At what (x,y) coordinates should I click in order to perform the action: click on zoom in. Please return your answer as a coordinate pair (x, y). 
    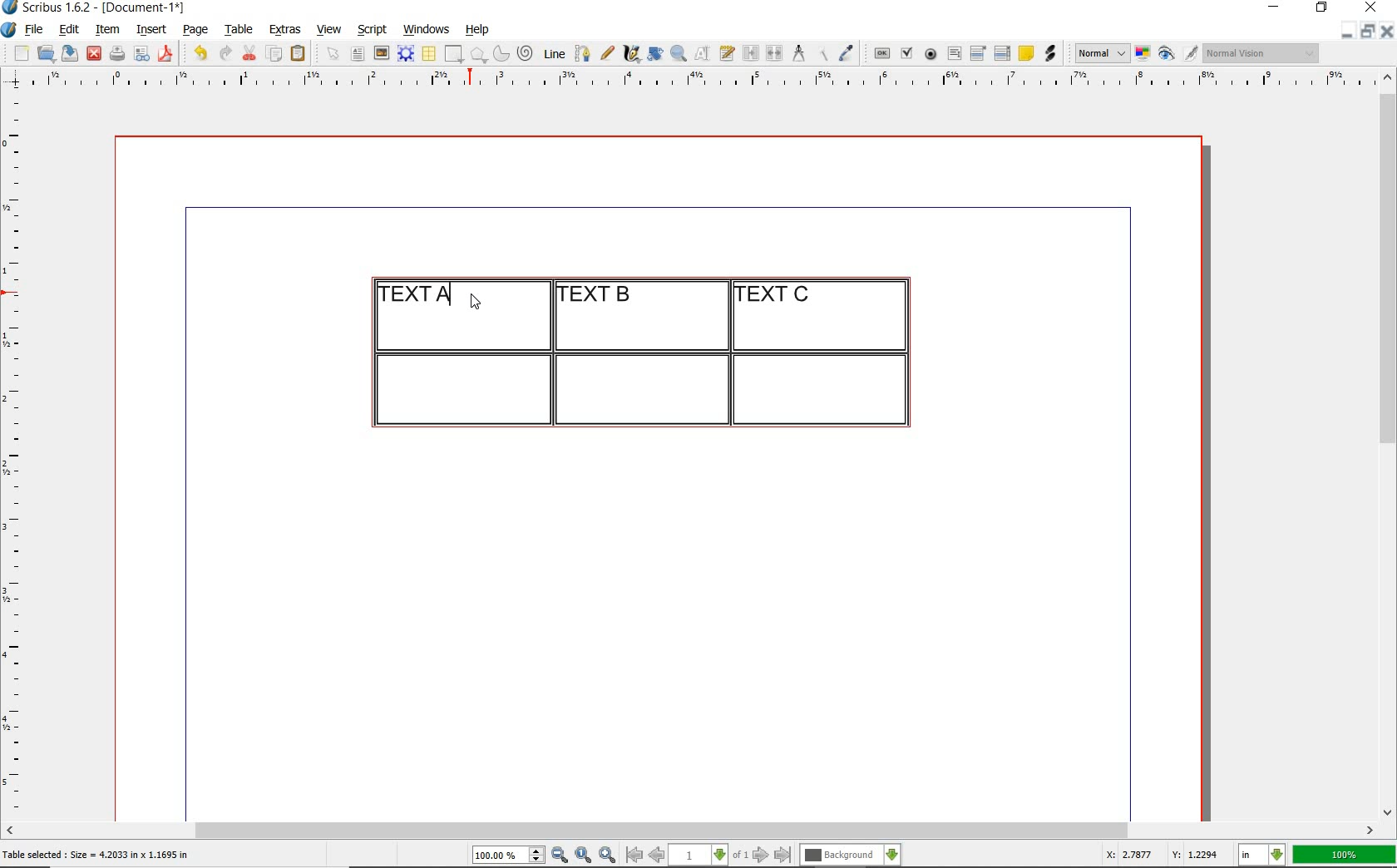
    Looking at the image, I should click on (608, 856).